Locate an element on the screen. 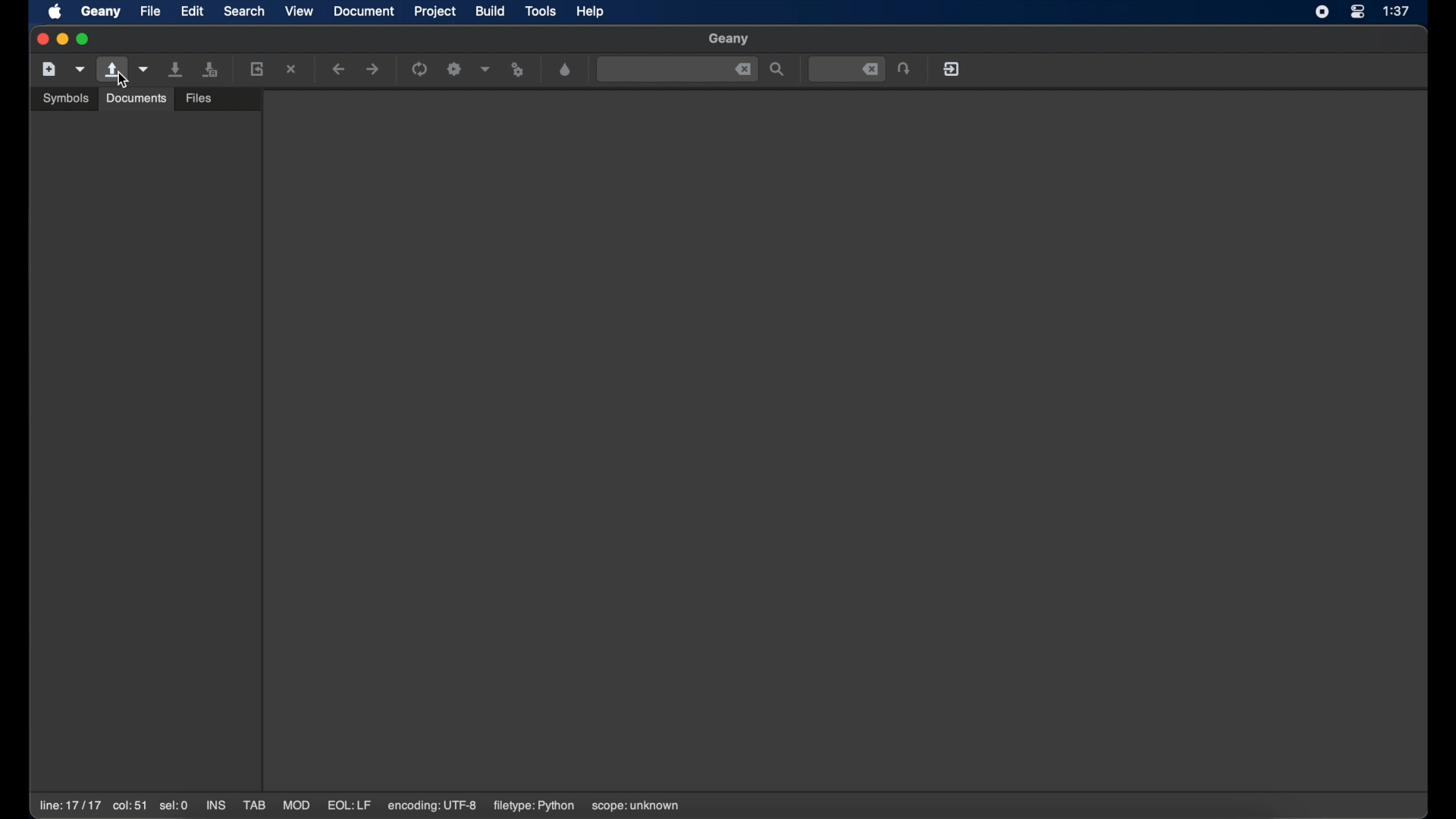 The width and height of the screenshot is (1456, 819). scope: unknown is located at coordinates (636, 807).